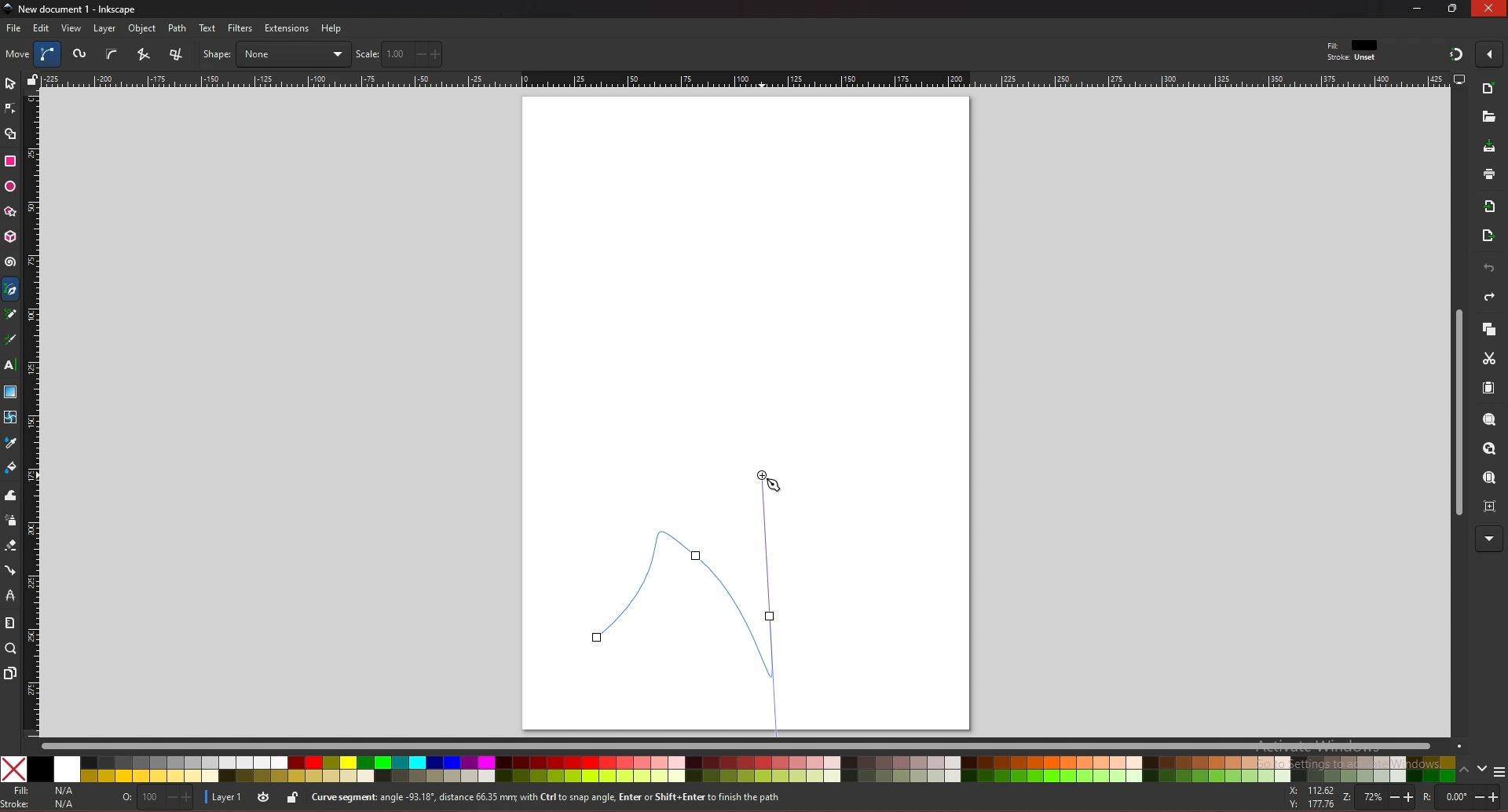 The image size is (1508, 812). Describe the element at coordinates (9, 623) in the screenshot. I see `measure` at that location.